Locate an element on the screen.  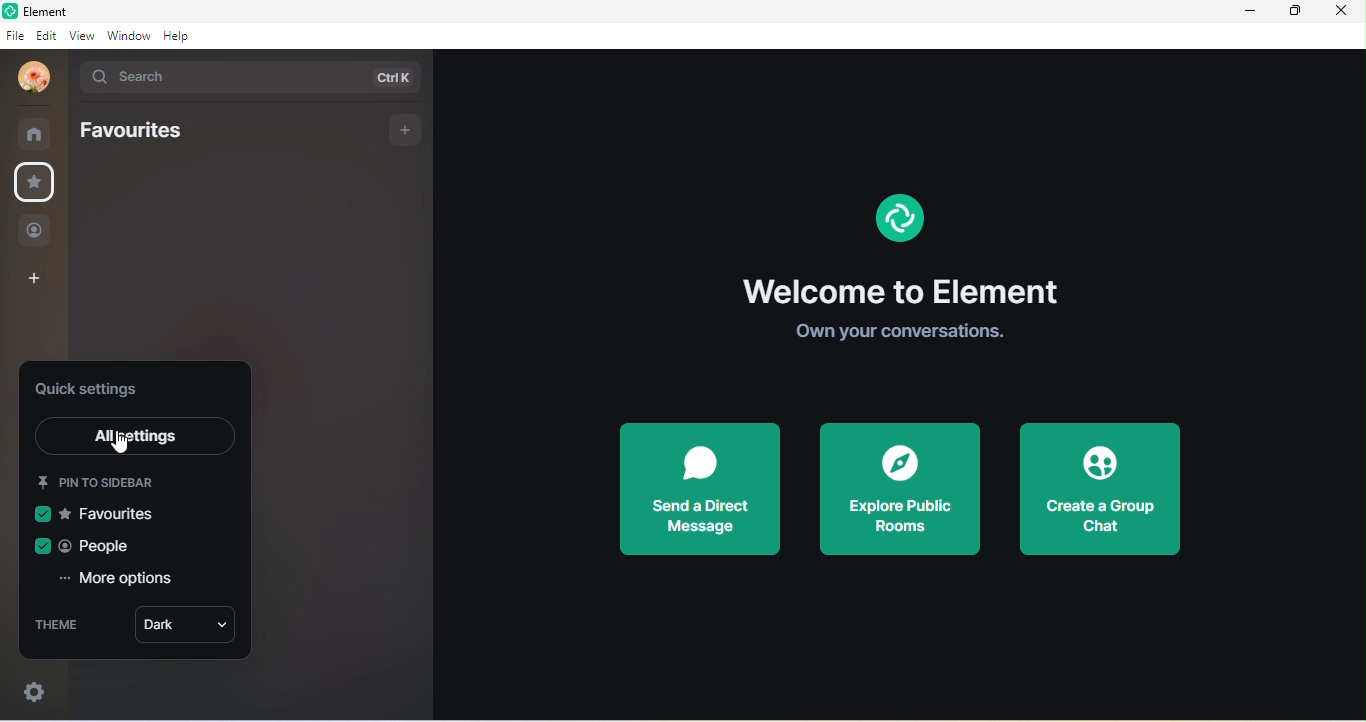
minimize is located at coordinates (1255, 12).